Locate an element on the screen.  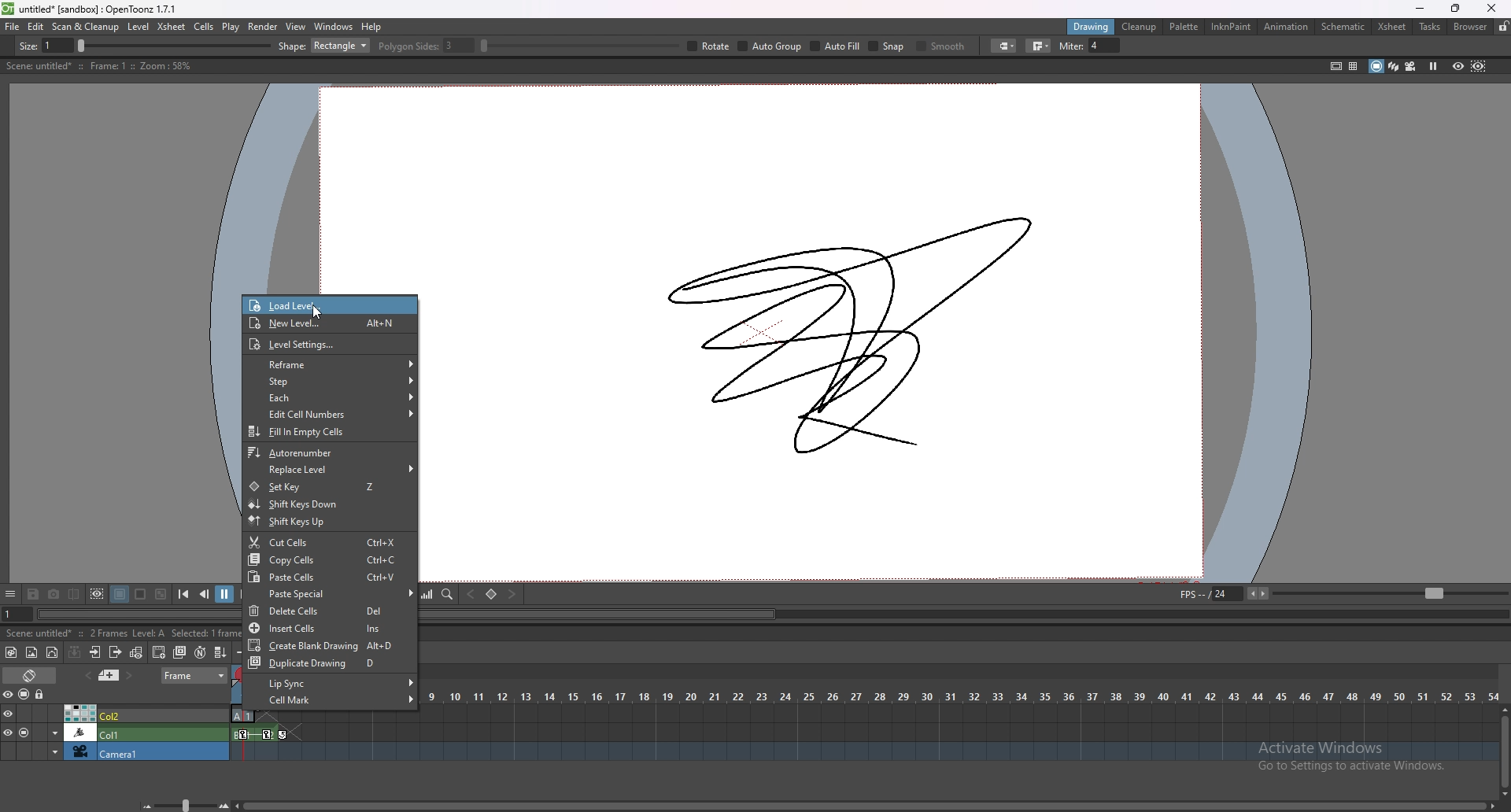
camera view is located at coordinates (1411, 66).